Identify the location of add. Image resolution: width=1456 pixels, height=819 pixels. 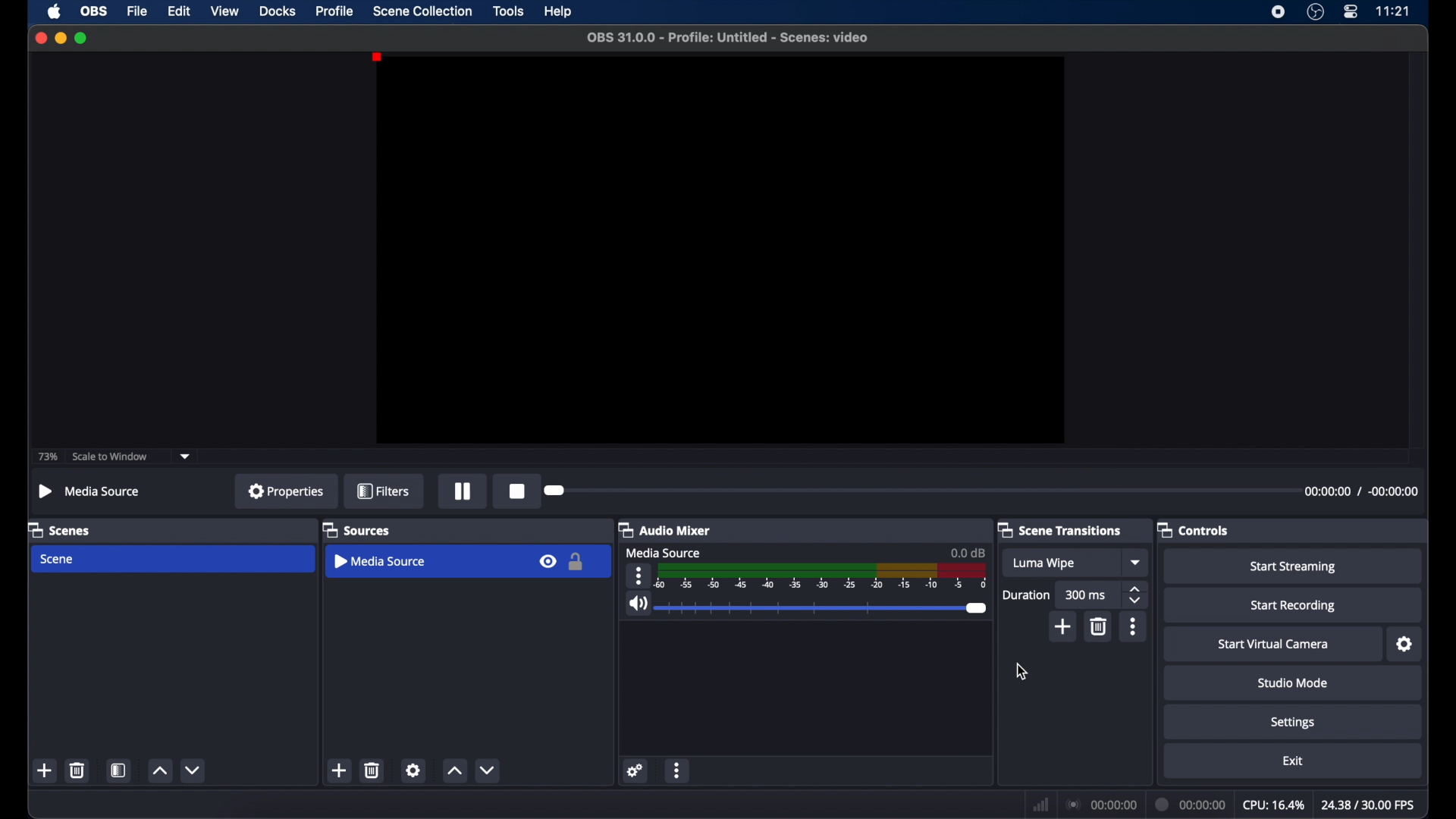
(45, 770).